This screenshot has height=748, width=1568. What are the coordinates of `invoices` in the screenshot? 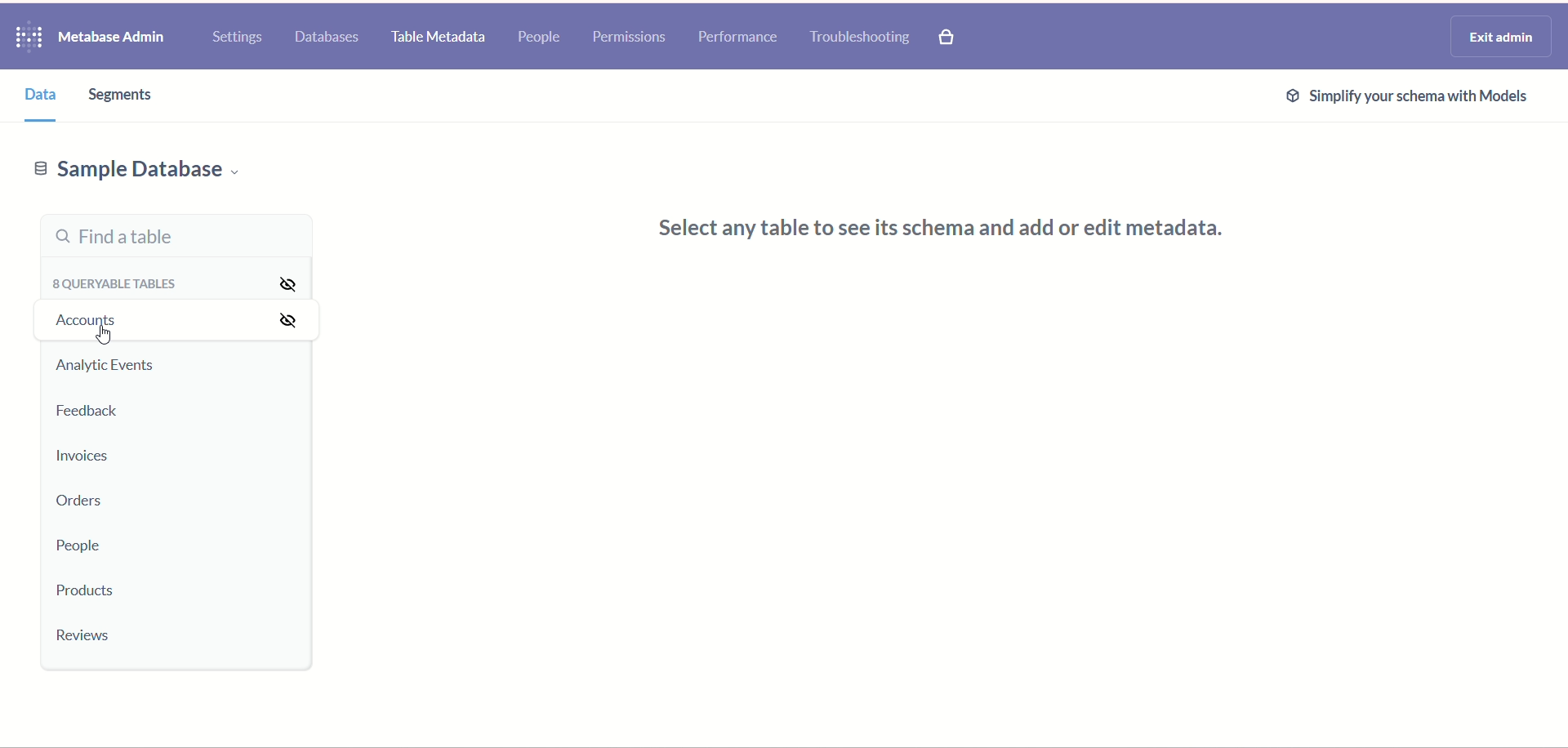 It's located at (90, 456).